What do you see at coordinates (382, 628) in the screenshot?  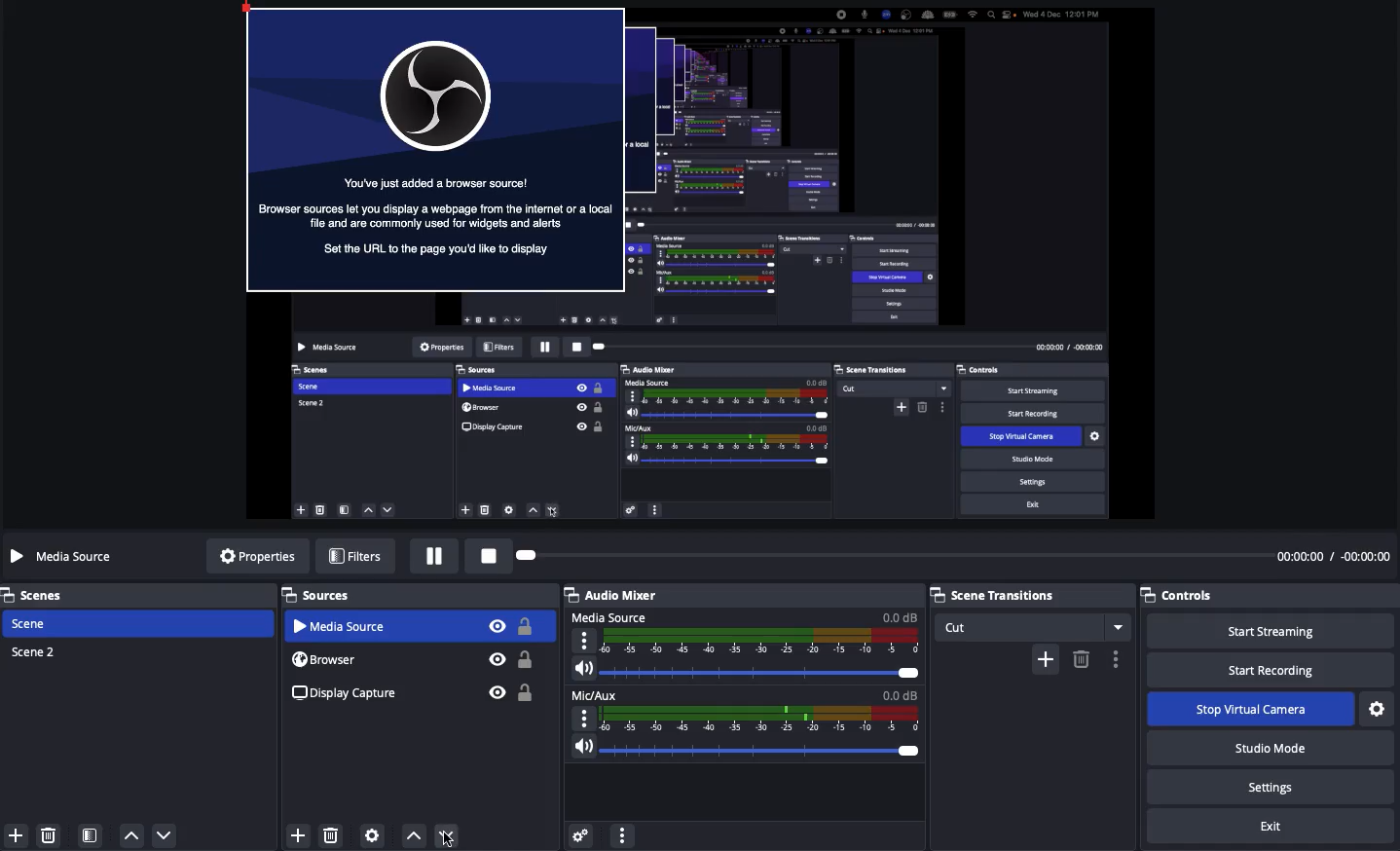 I see `Selected` at bounding box center [382, 628].